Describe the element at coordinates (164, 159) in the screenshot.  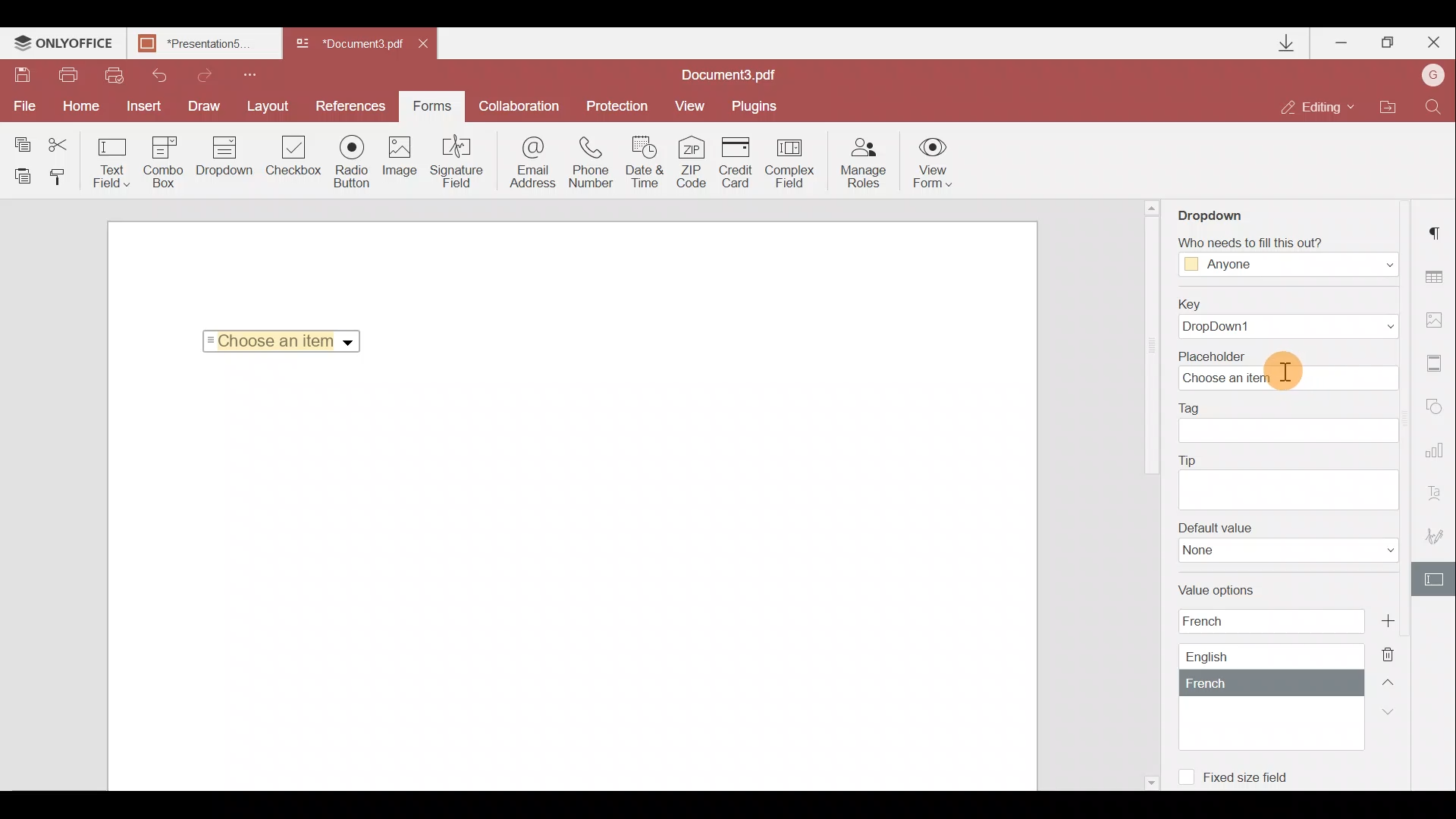
I see `Combo box` at that location.